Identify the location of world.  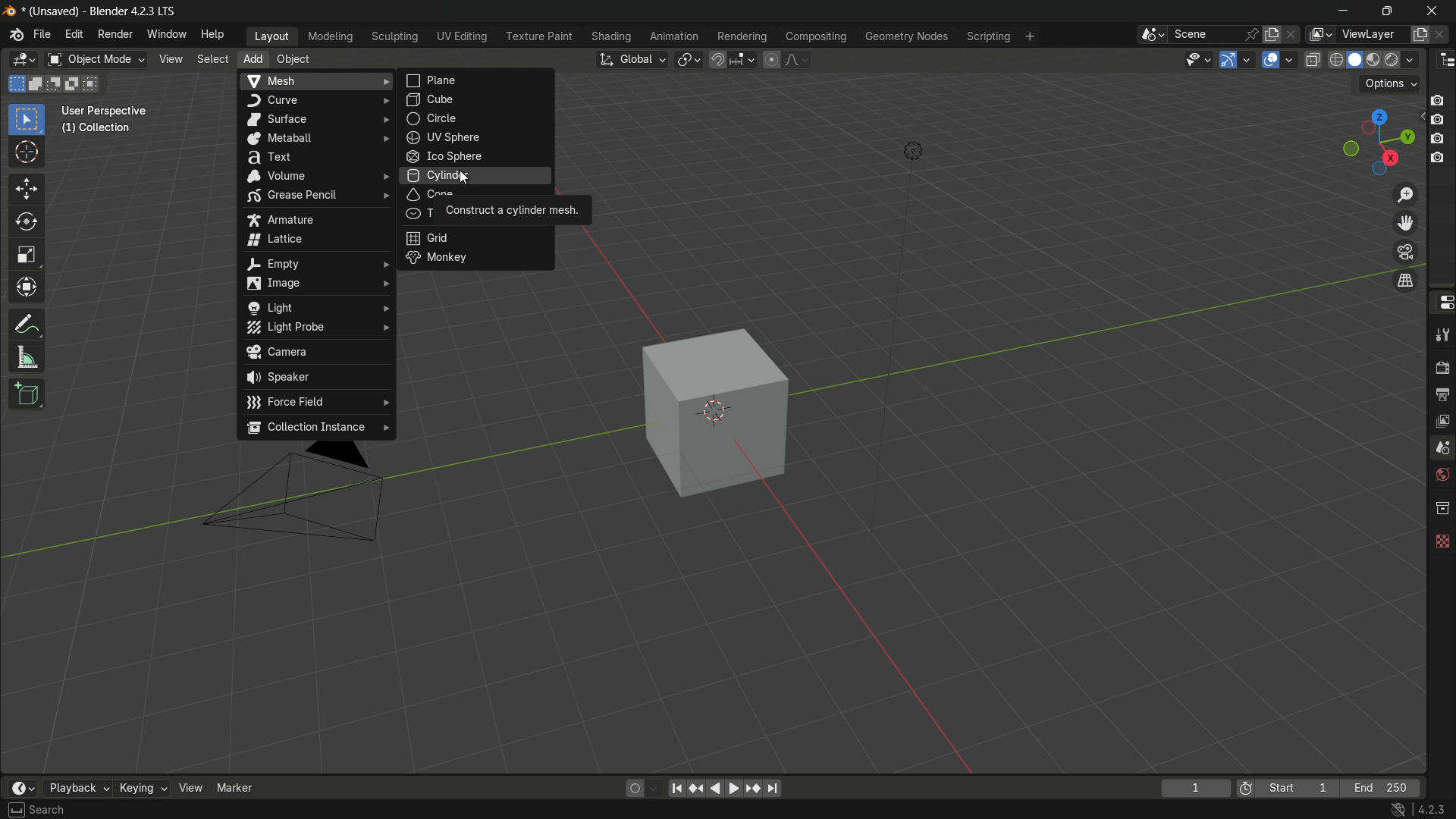
(1441, 476).